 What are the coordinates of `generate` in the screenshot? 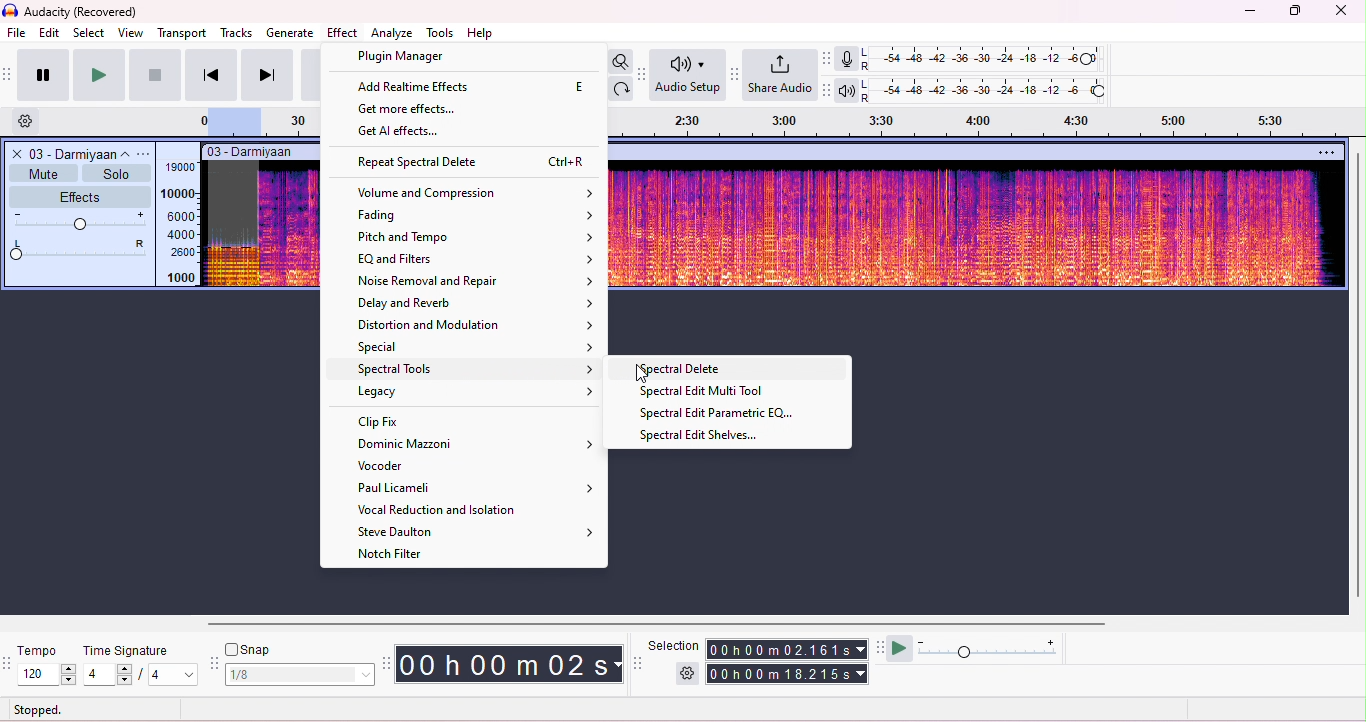 It's located at (291, 33).